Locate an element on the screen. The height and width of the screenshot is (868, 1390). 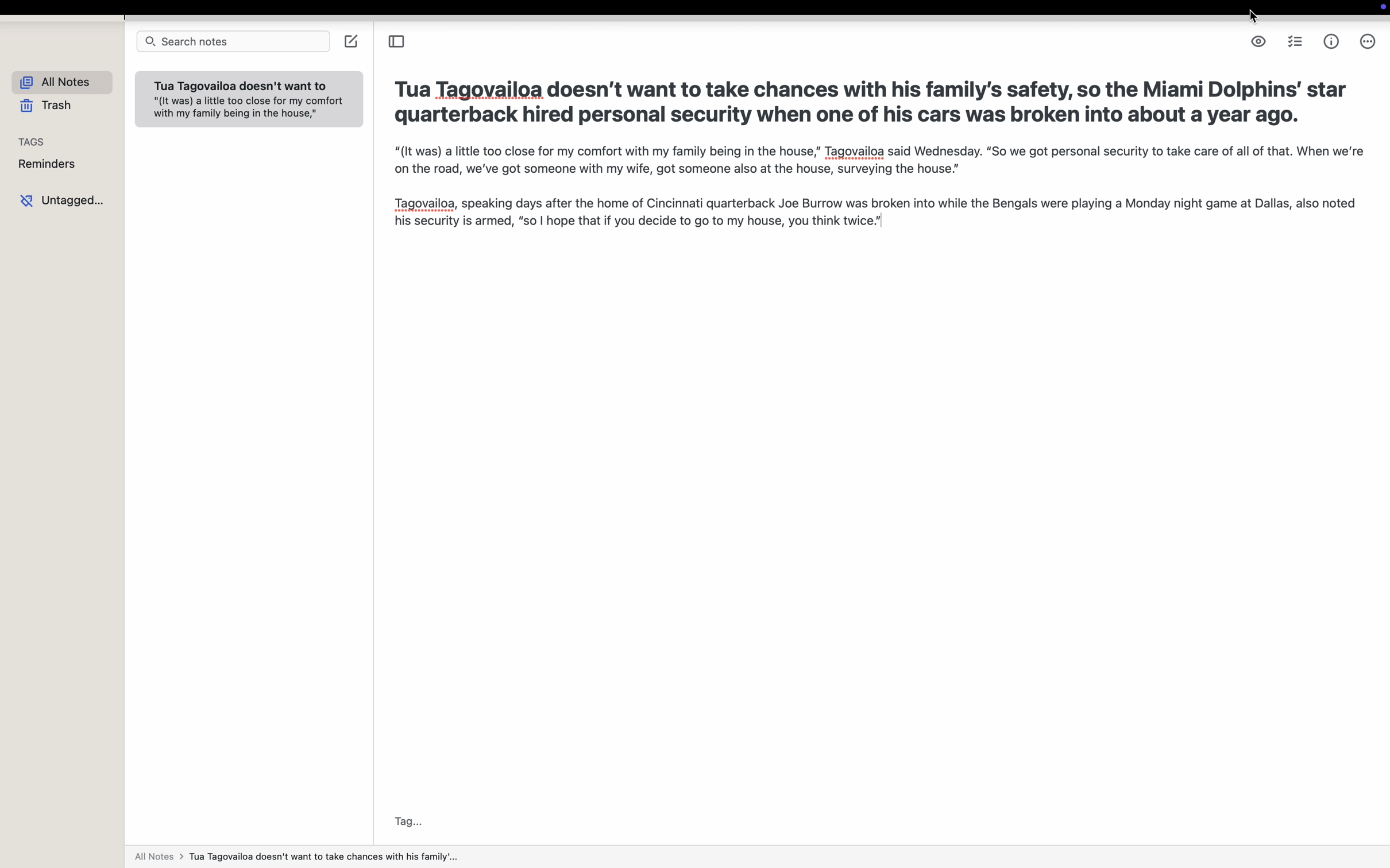
checklist is located at coordinates (1294, 43).